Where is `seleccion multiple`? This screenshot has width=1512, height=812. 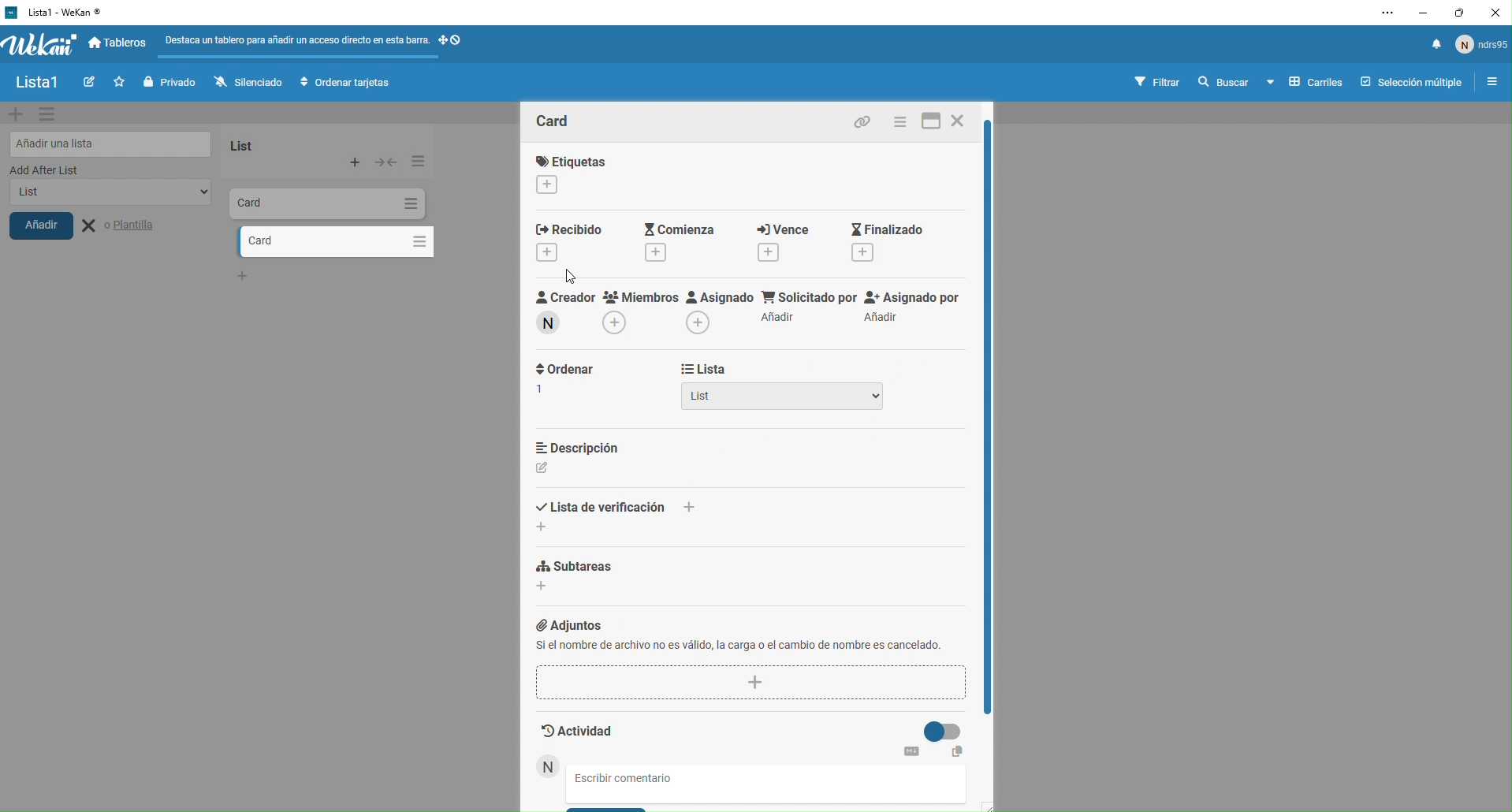
seleccion multiple is located at coordinates (1407, 82).